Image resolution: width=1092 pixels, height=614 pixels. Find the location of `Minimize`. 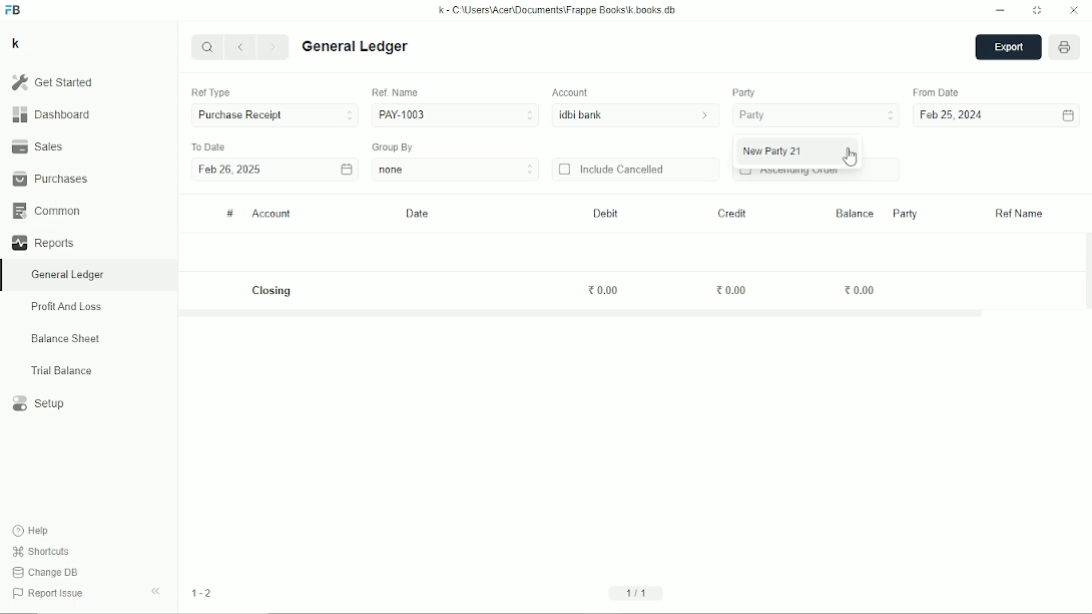

Minimize is located at coordinates (1001, 11).